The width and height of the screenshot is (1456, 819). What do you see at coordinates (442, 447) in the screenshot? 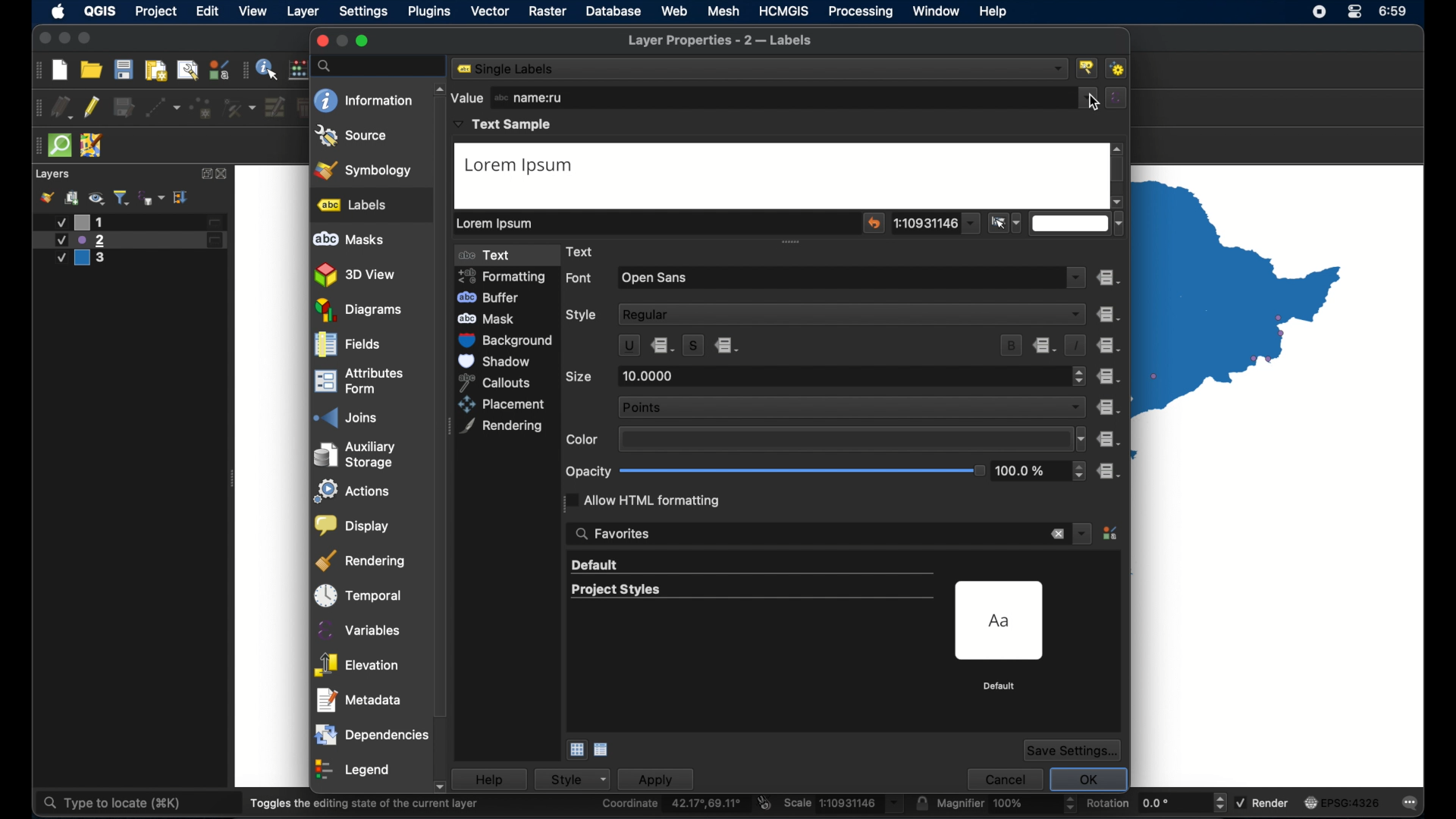
I see `scroll box` at bounding box center [442, 447].